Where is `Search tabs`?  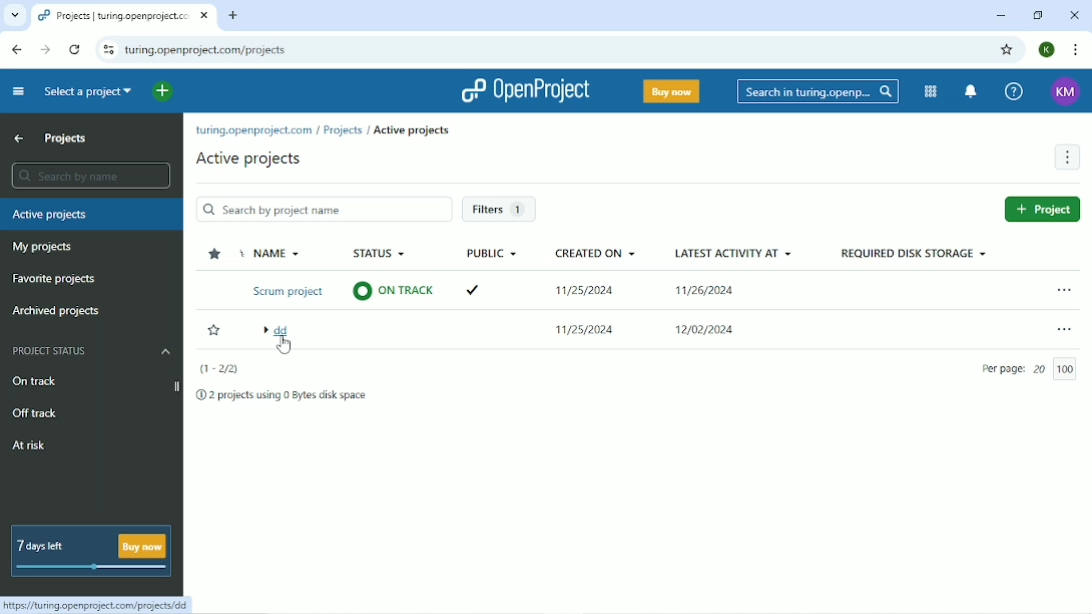 Search tabs is located at coordinates (15, 14).